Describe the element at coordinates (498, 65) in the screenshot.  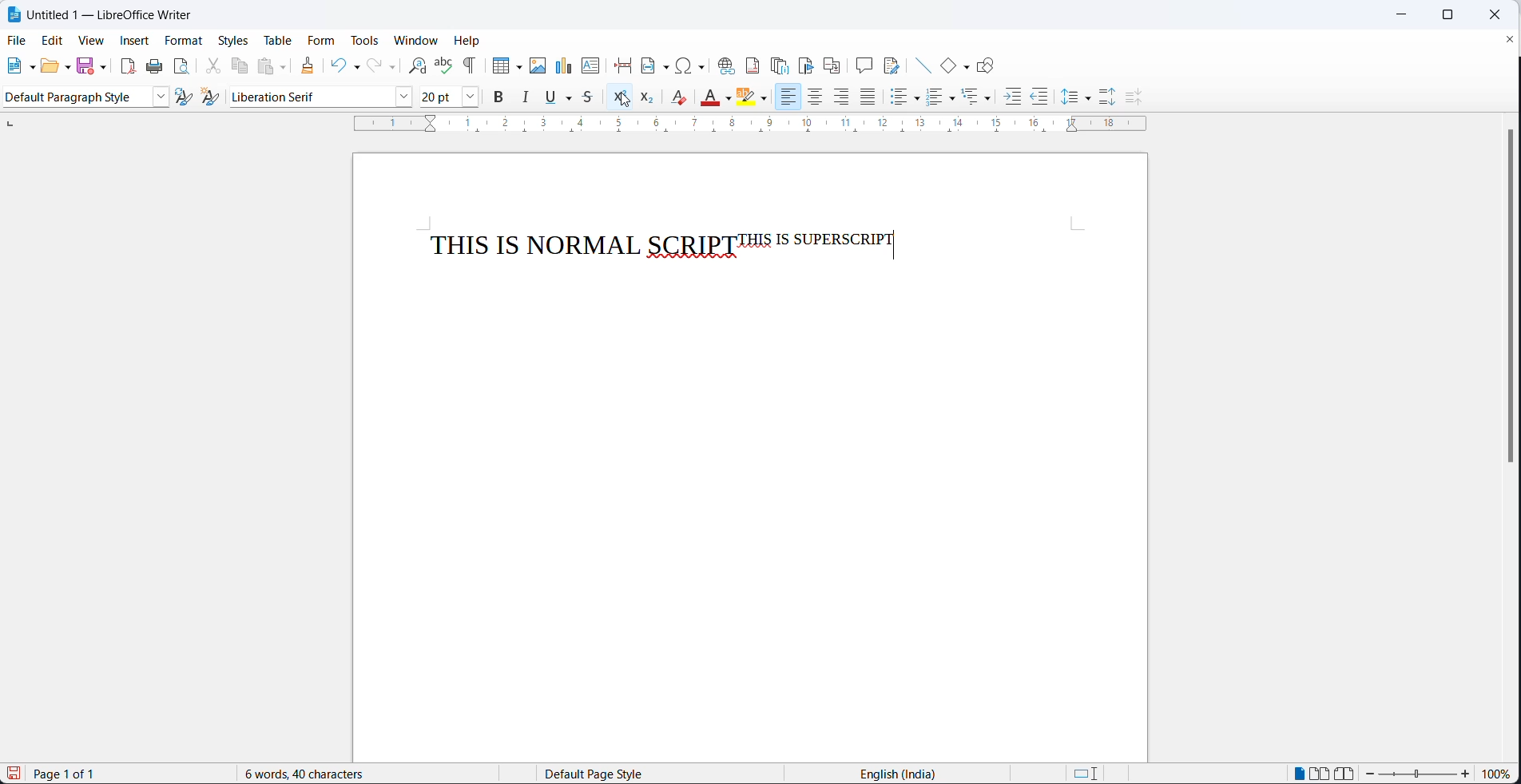
I see `insert table` at that location.